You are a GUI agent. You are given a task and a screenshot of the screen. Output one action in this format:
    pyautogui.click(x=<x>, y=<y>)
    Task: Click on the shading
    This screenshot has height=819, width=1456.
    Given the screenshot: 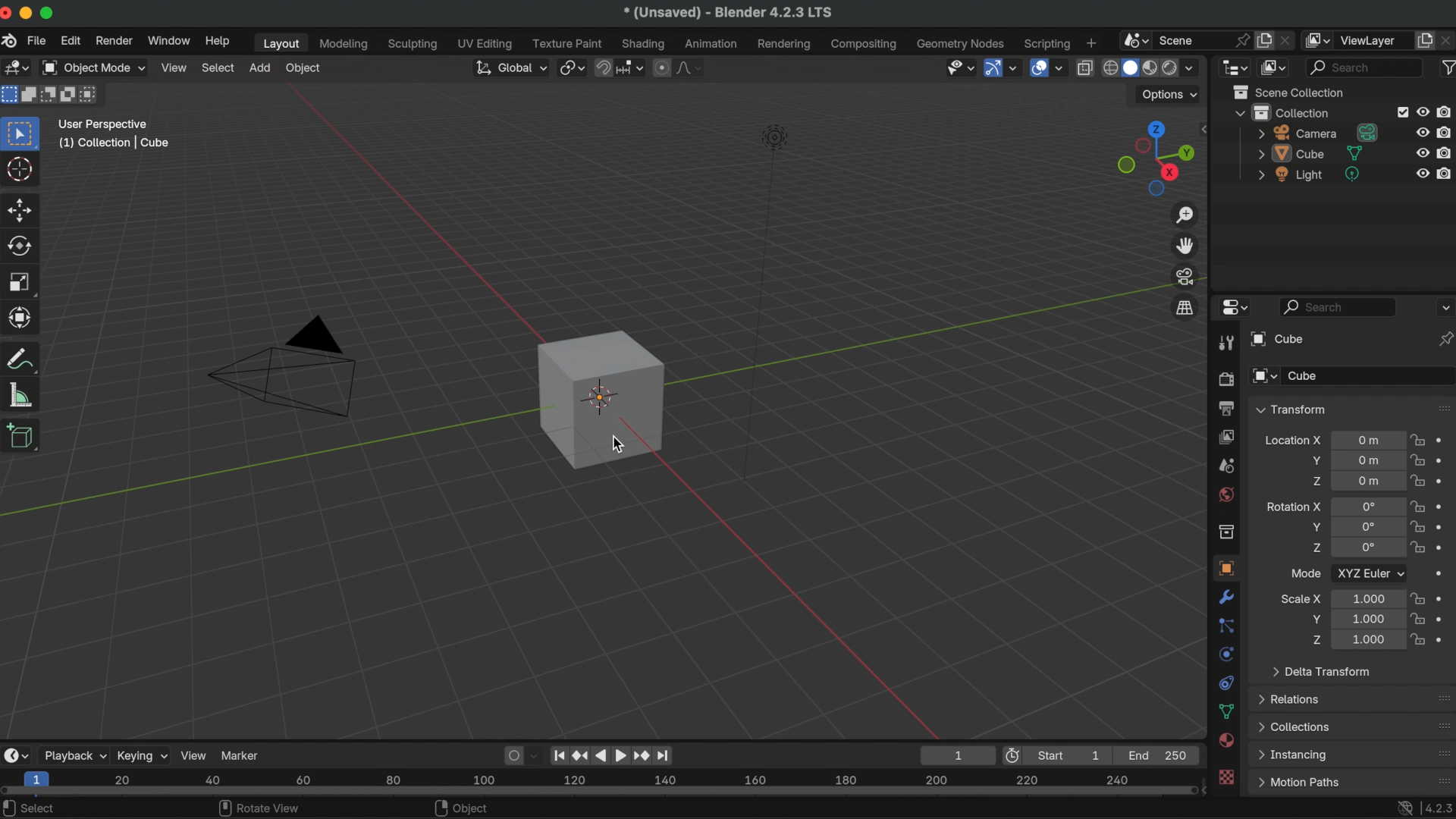 What is the action you would take?
    pyautogui.click(x=645, y=43)
    